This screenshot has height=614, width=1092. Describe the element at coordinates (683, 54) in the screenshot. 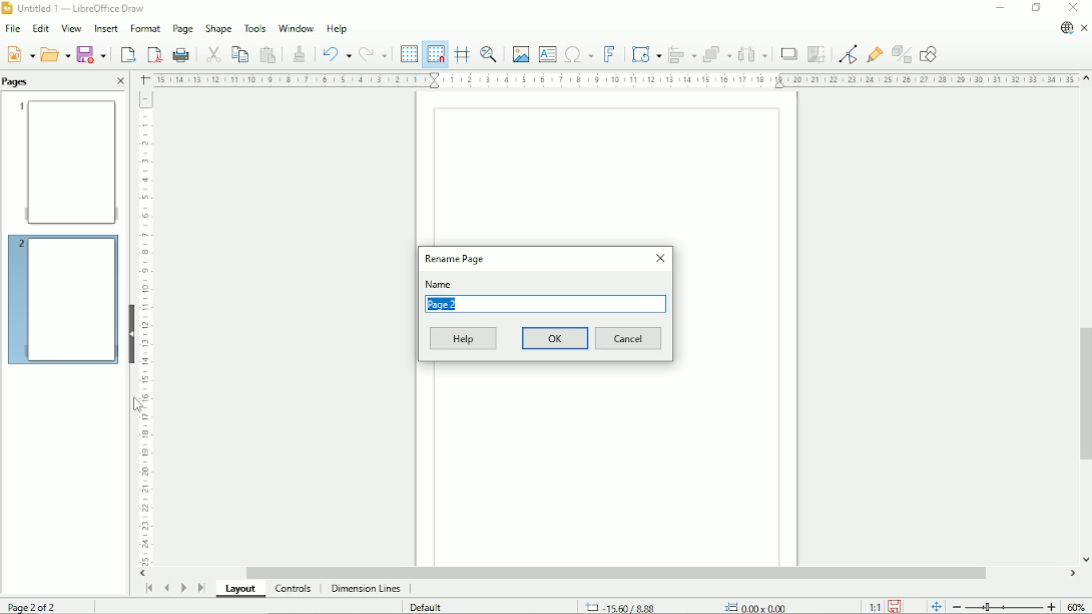

I see `Align objects` at that location.